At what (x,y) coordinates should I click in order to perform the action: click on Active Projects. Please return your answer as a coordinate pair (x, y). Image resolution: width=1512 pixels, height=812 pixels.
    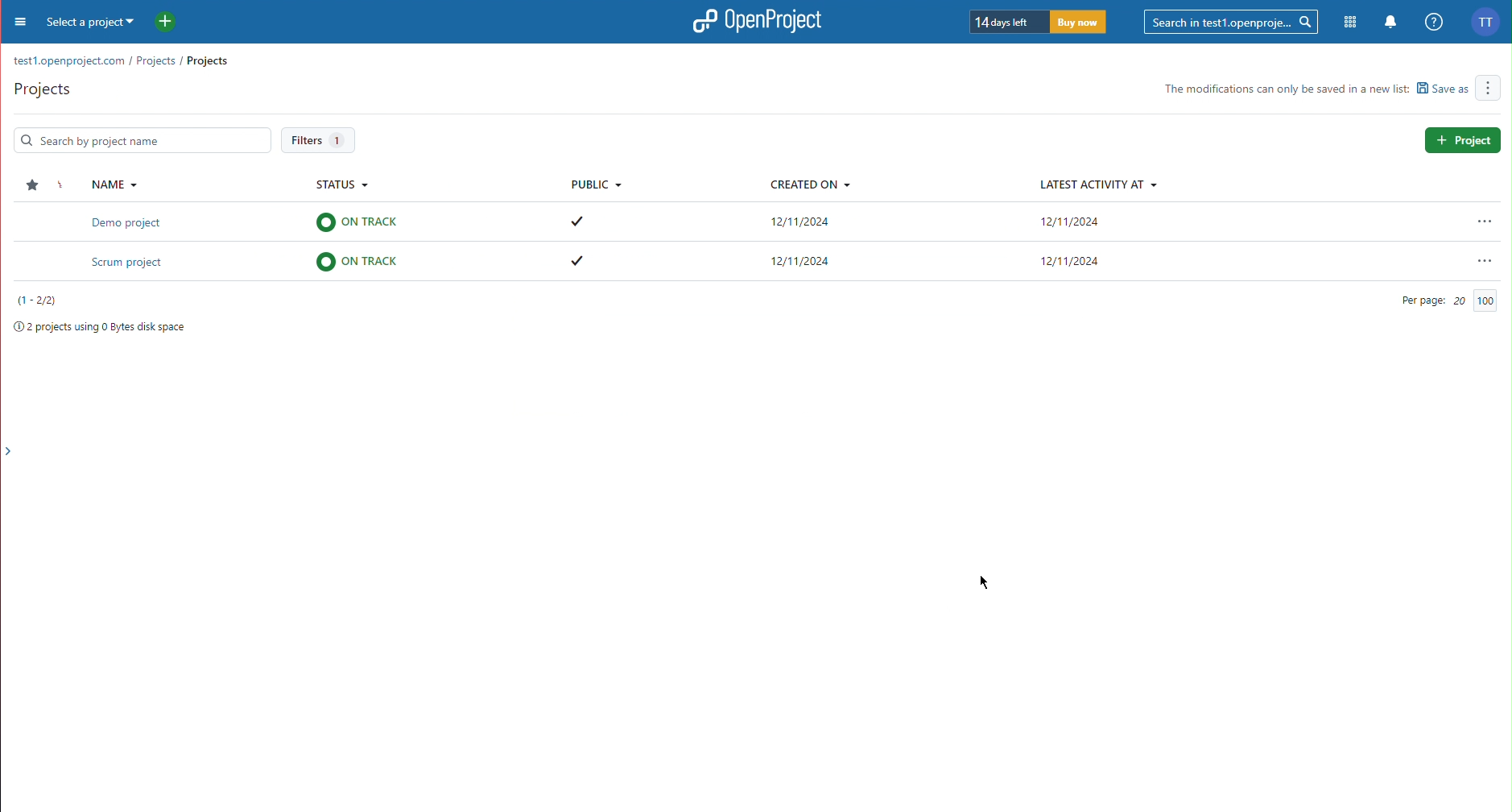
    Looking at the image, I should click on (67, 91).